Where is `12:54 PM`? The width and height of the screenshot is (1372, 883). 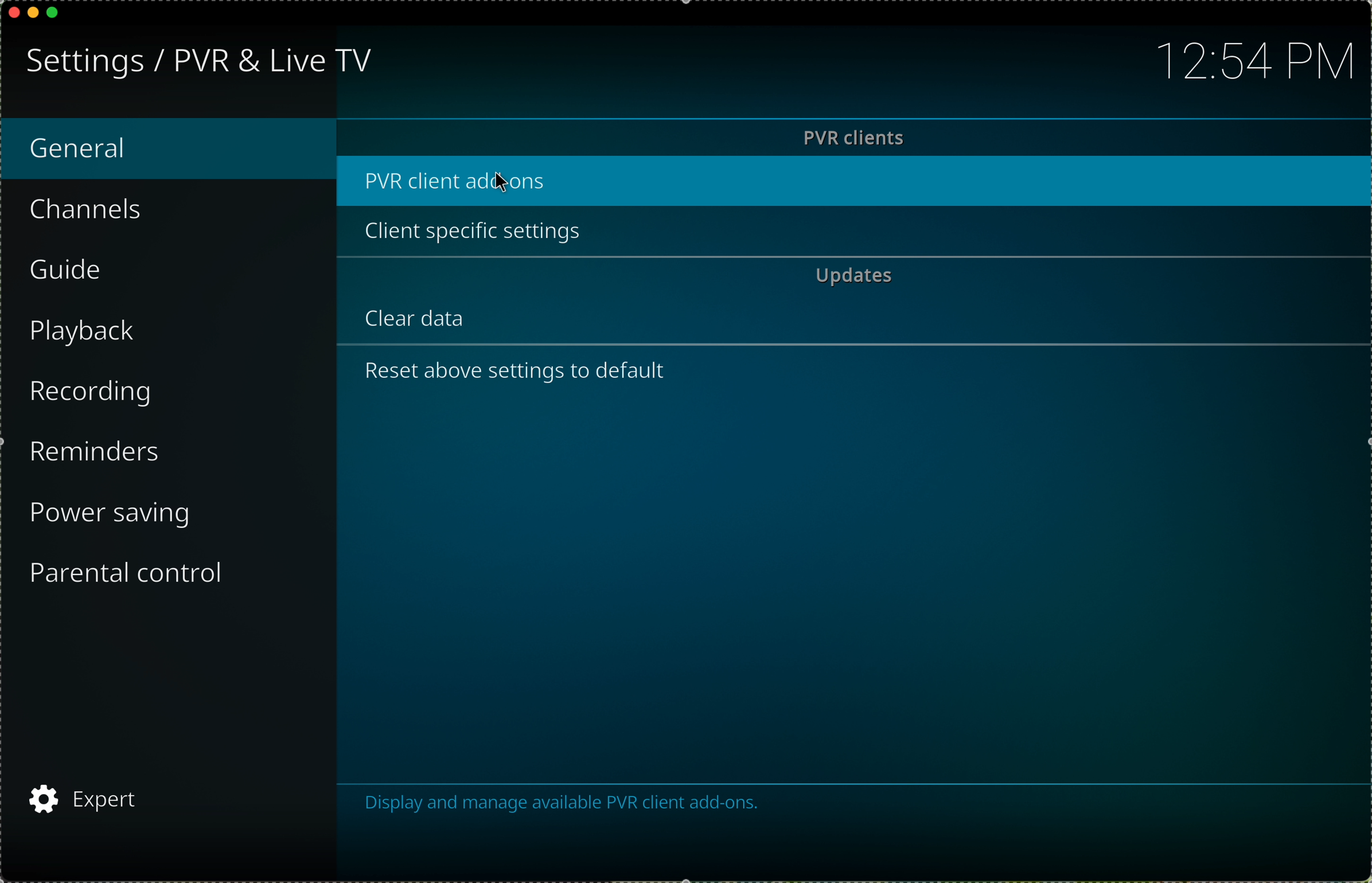
12:54 PM is located at coordinates (1255, 61).